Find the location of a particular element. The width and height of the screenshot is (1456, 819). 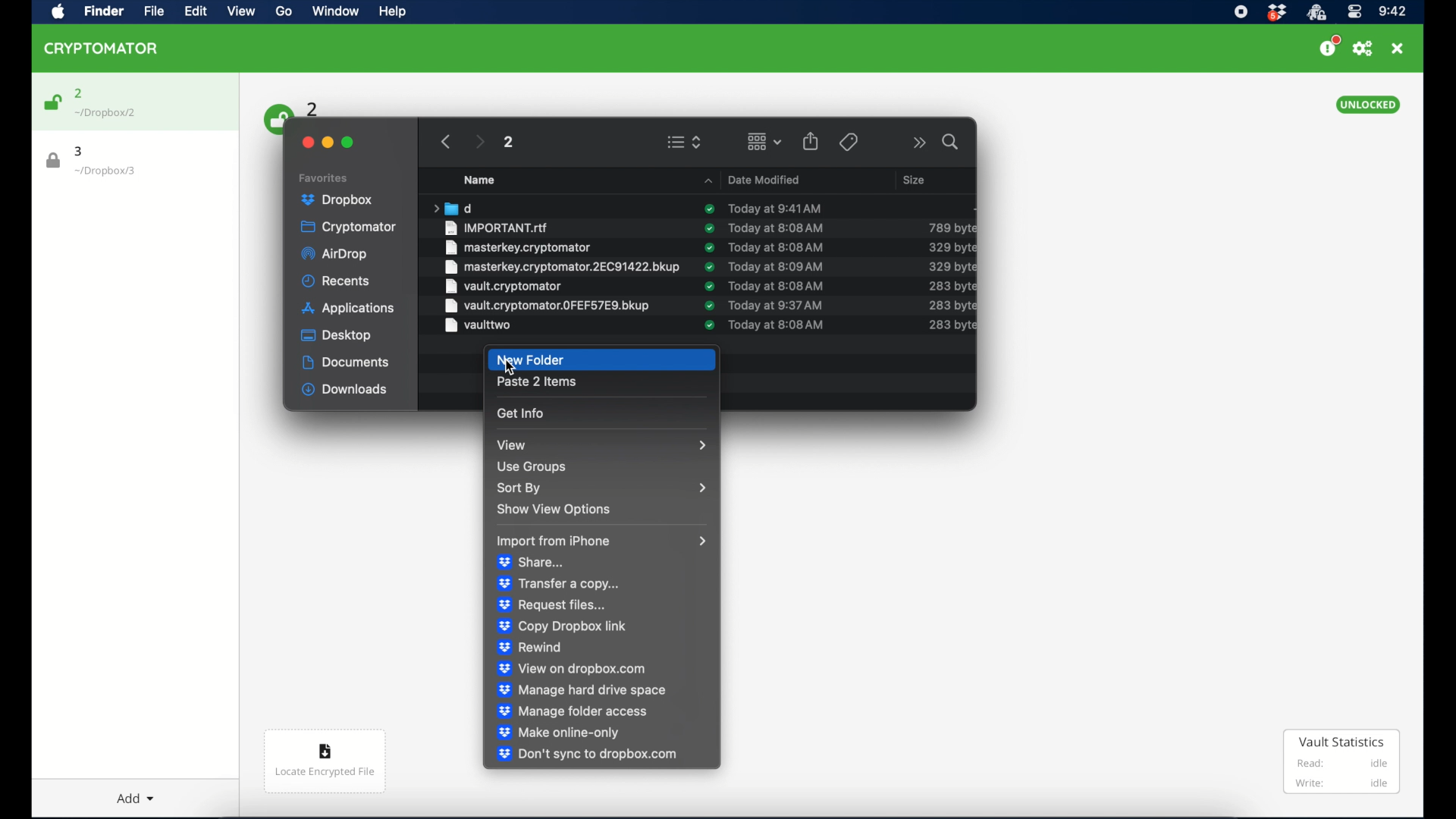

share is located at coordinates (533, 562).